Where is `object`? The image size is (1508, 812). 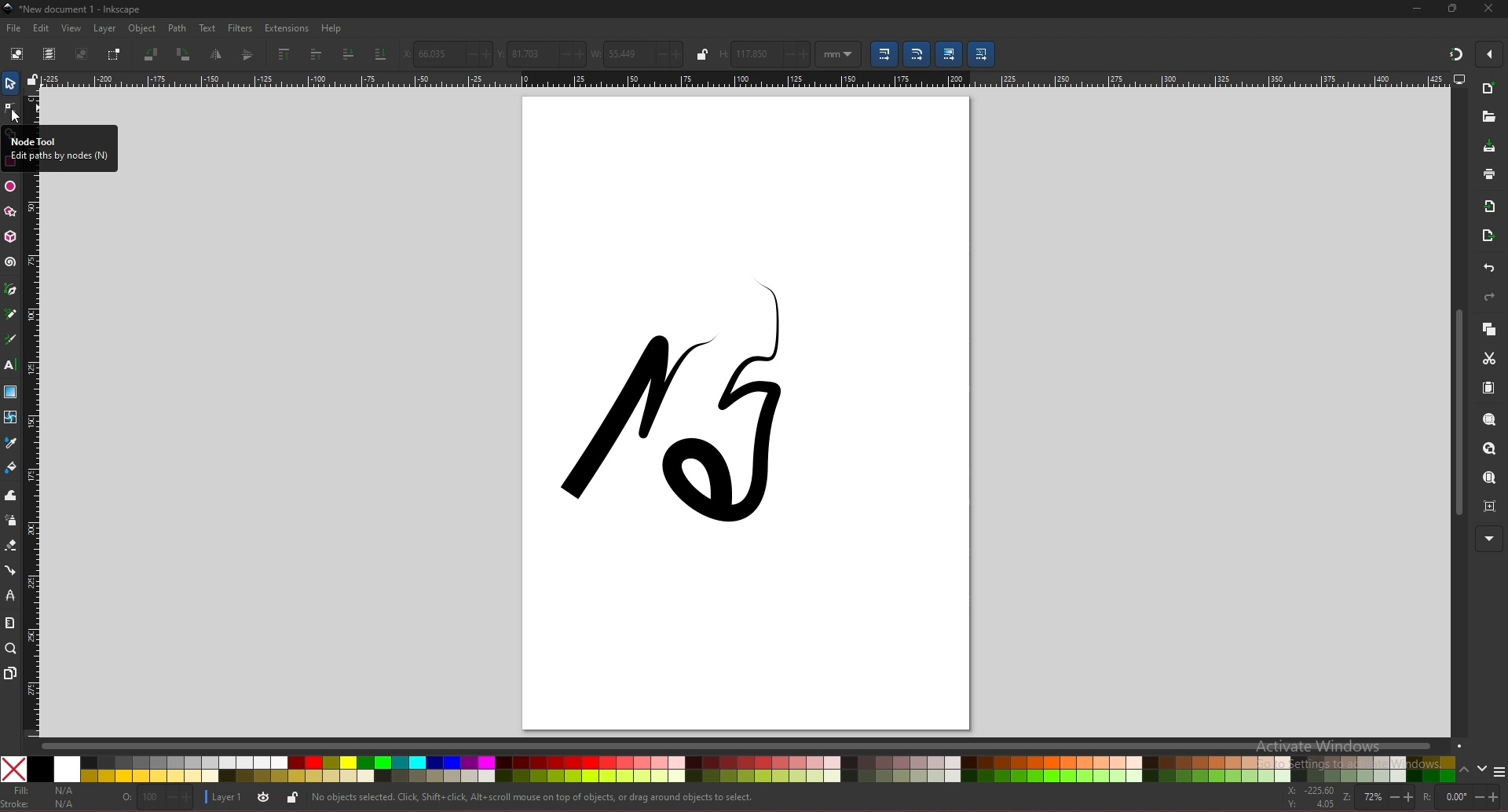
object is located at coordinates (144, 29).